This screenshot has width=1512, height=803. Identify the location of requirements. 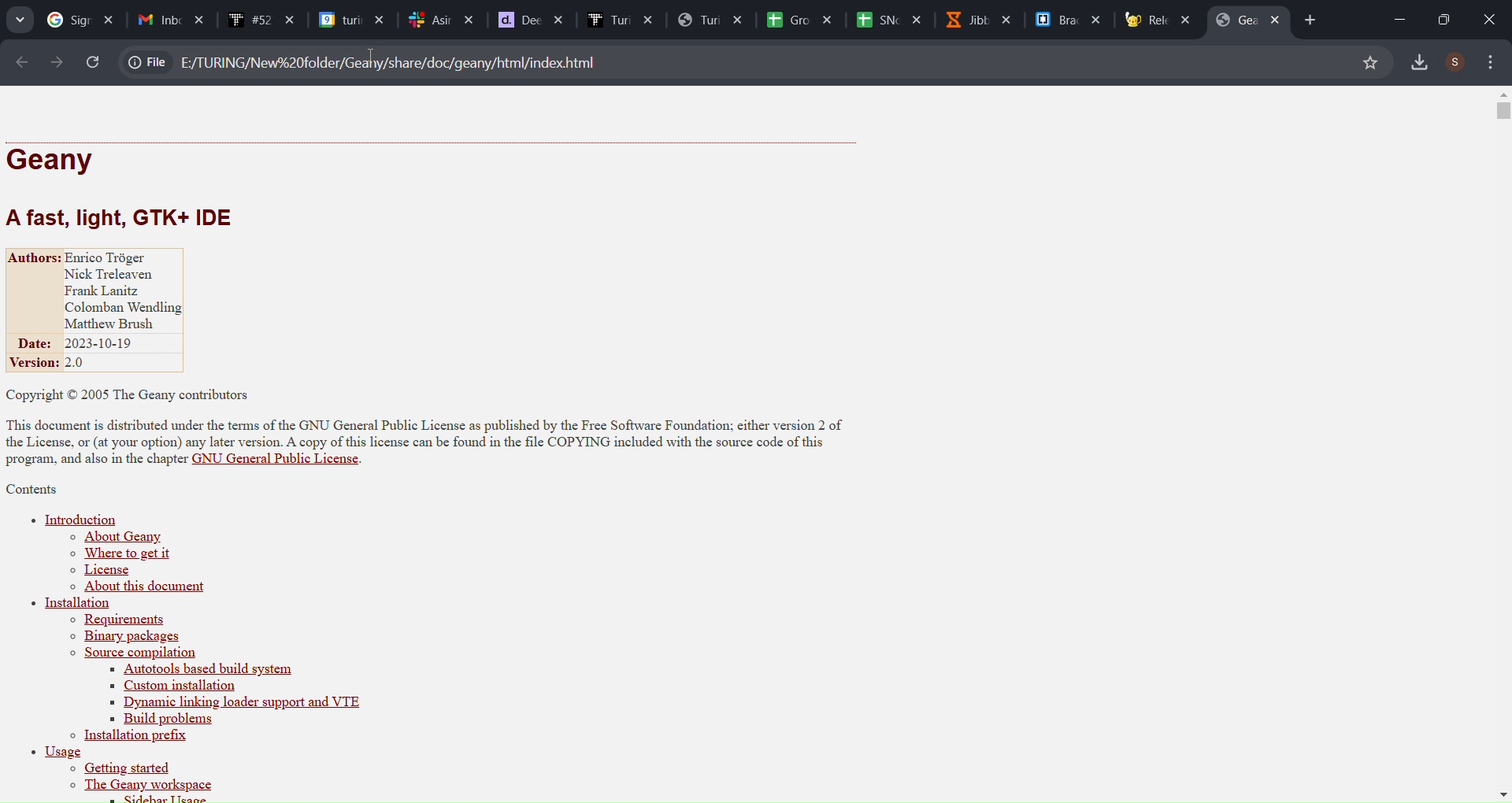
(119, 620).